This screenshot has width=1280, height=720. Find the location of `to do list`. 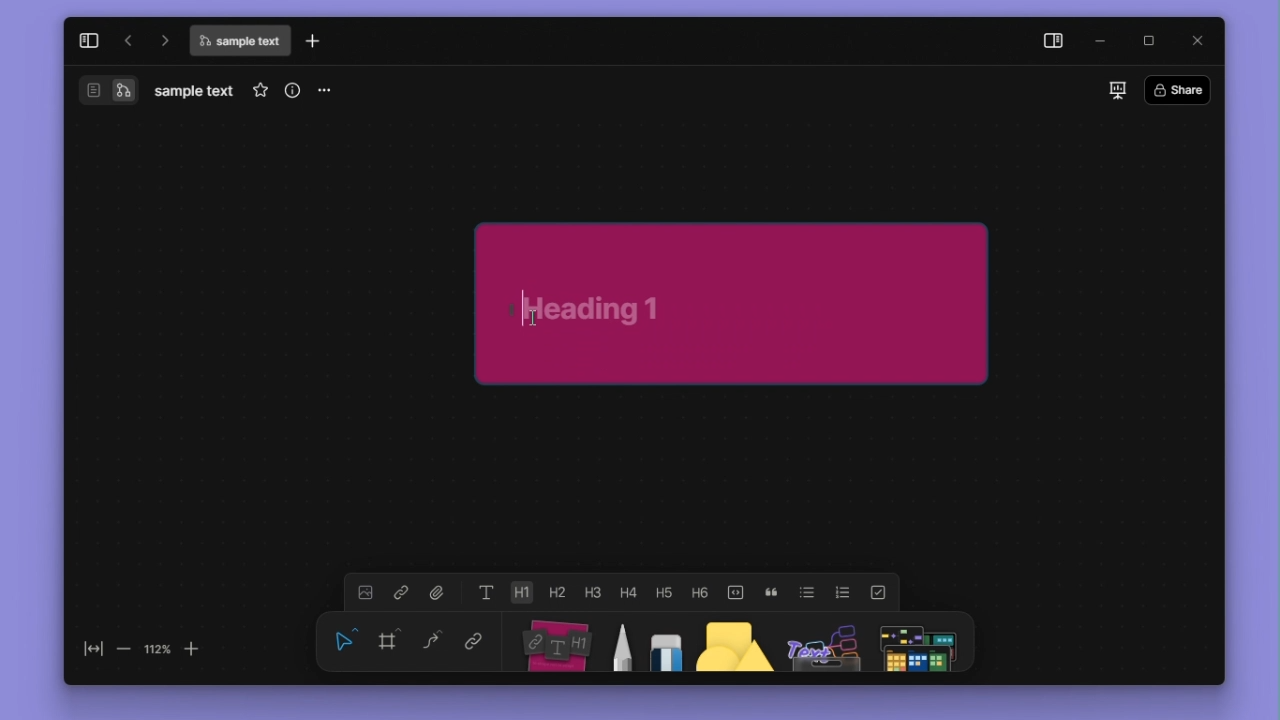

to do list is located at coordinates (878, 593).